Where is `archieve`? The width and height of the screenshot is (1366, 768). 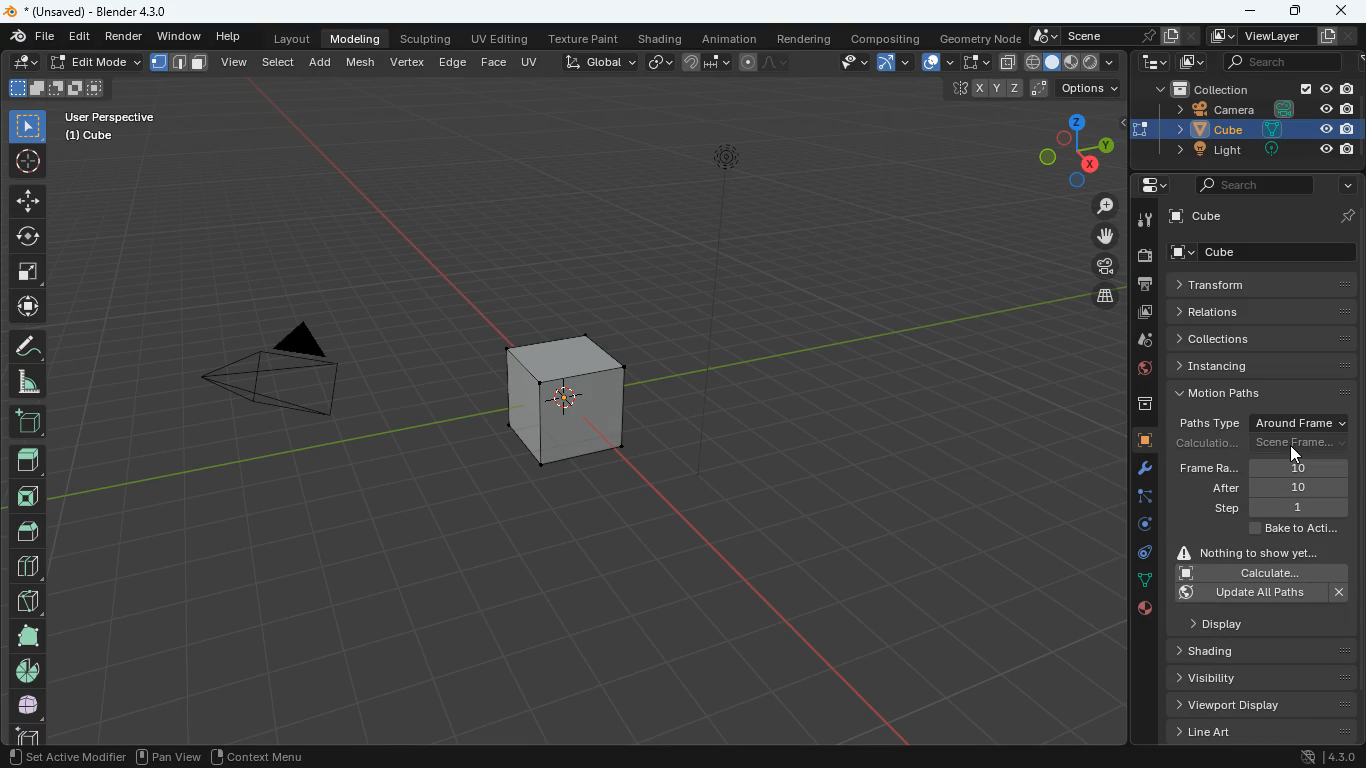 archieve is located at coordinates (1141, 406).